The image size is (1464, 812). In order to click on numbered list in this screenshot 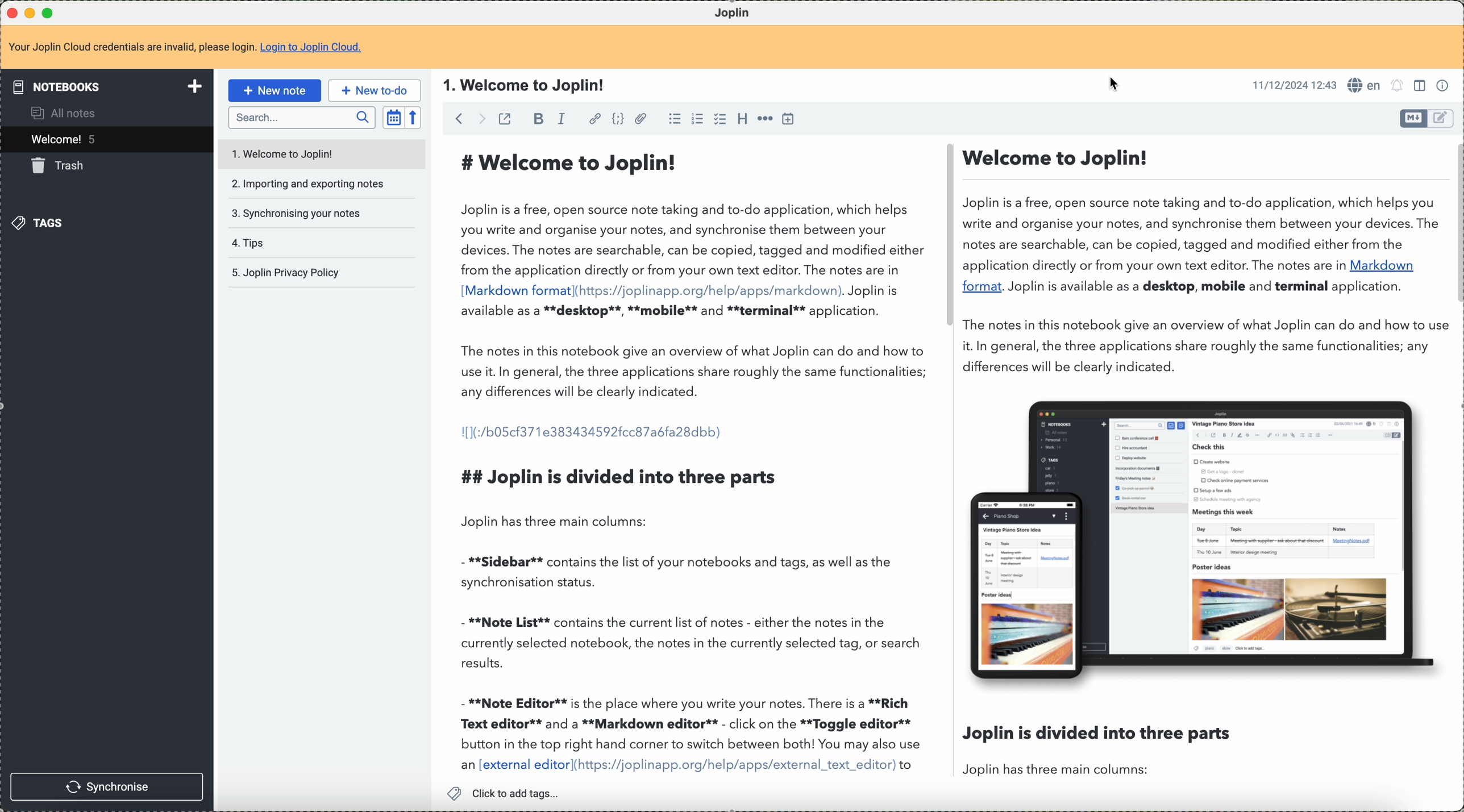, I will do `click(697, 119)`.